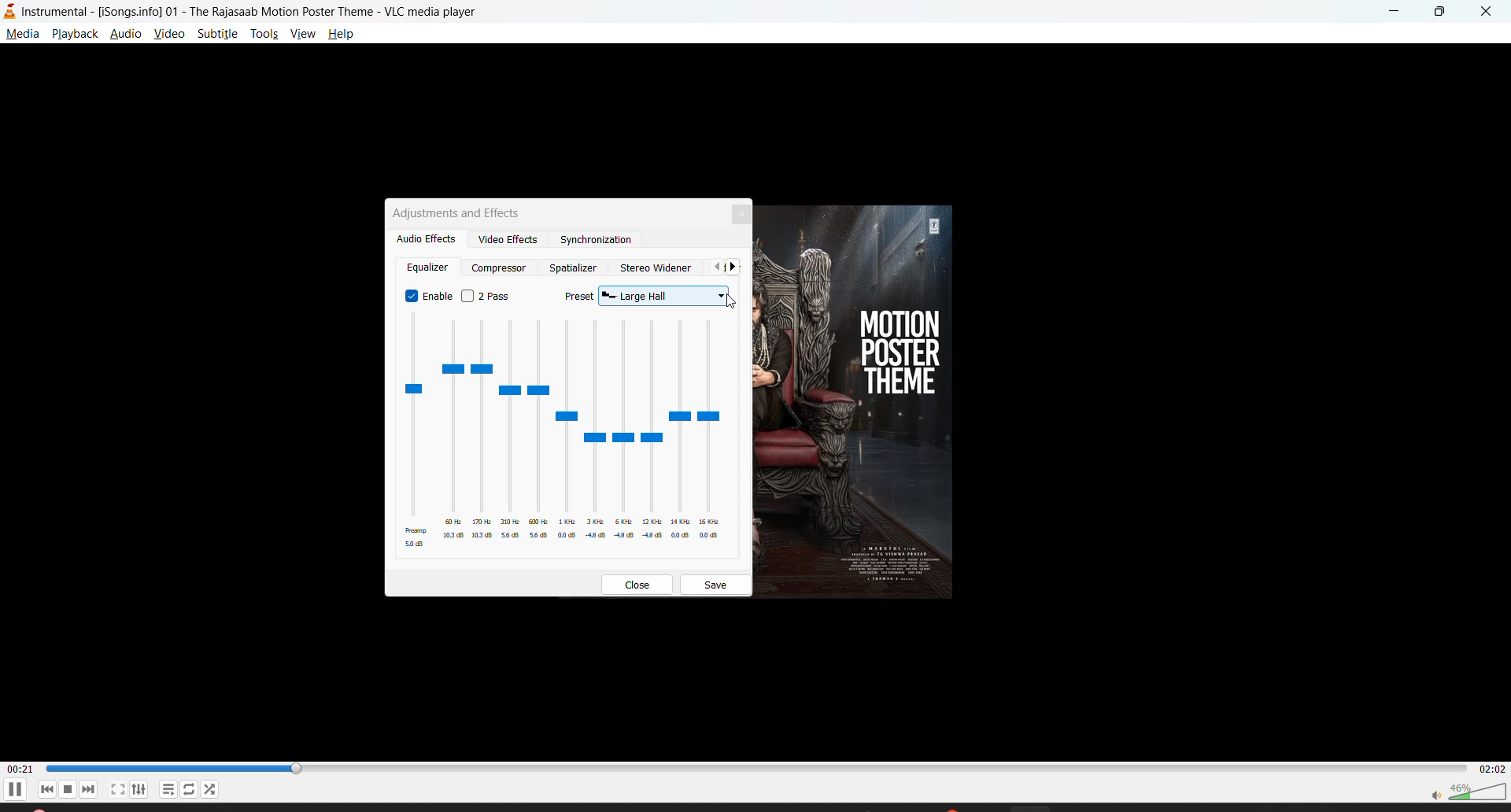 This screenshot has height=812, width=1511. What do you see at coordinates (20, 768) in the screenshot?
I see `current track time` at bounding box center [20, 768].